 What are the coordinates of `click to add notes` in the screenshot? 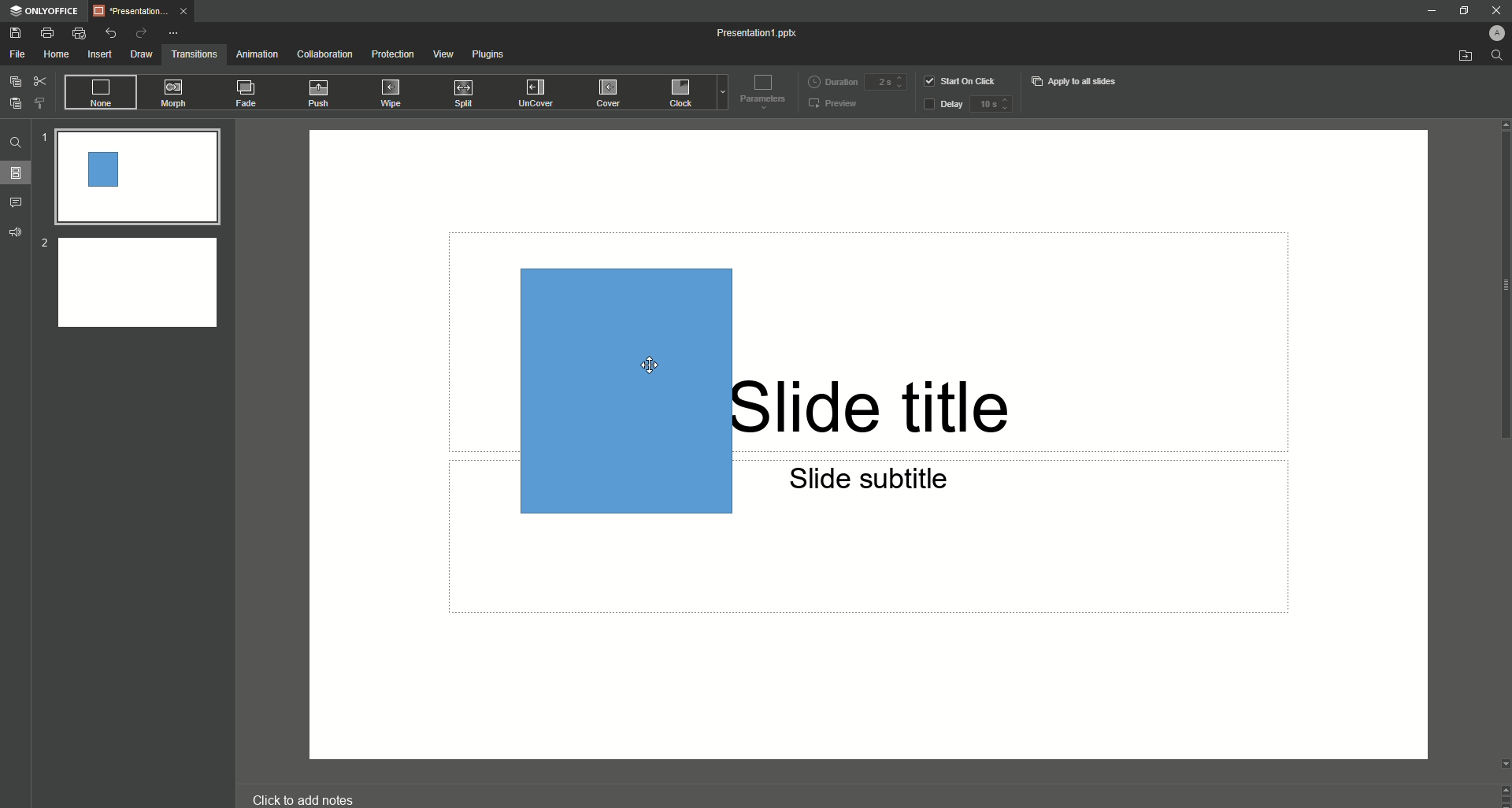 It's located at (307, 796).